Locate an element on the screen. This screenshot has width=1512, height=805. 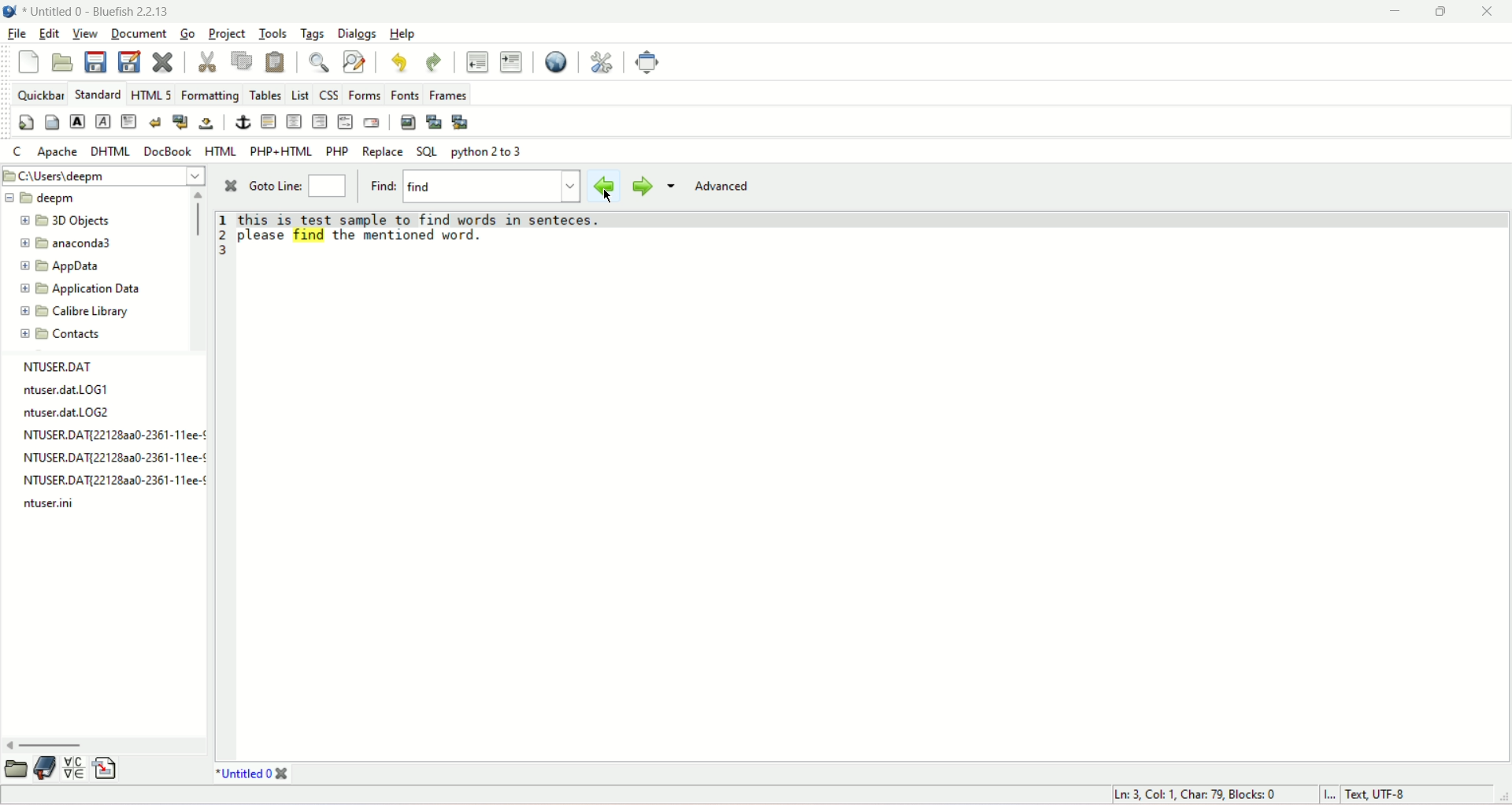
Apache is located at coordinates (57, 151).